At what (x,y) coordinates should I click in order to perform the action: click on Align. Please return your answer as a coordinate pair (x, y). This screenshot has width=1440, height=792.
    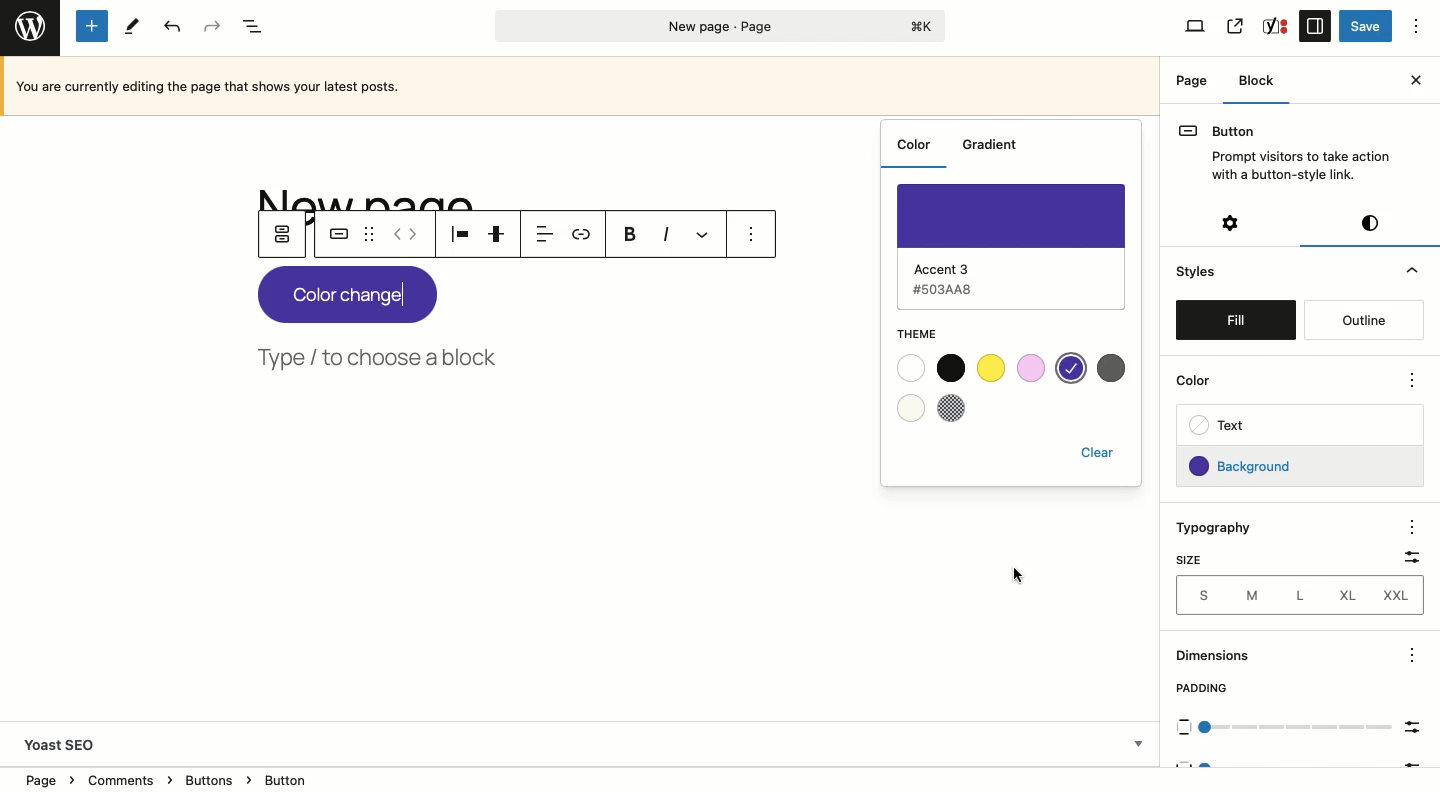
    Looking at the image, I should click on (539, 235).